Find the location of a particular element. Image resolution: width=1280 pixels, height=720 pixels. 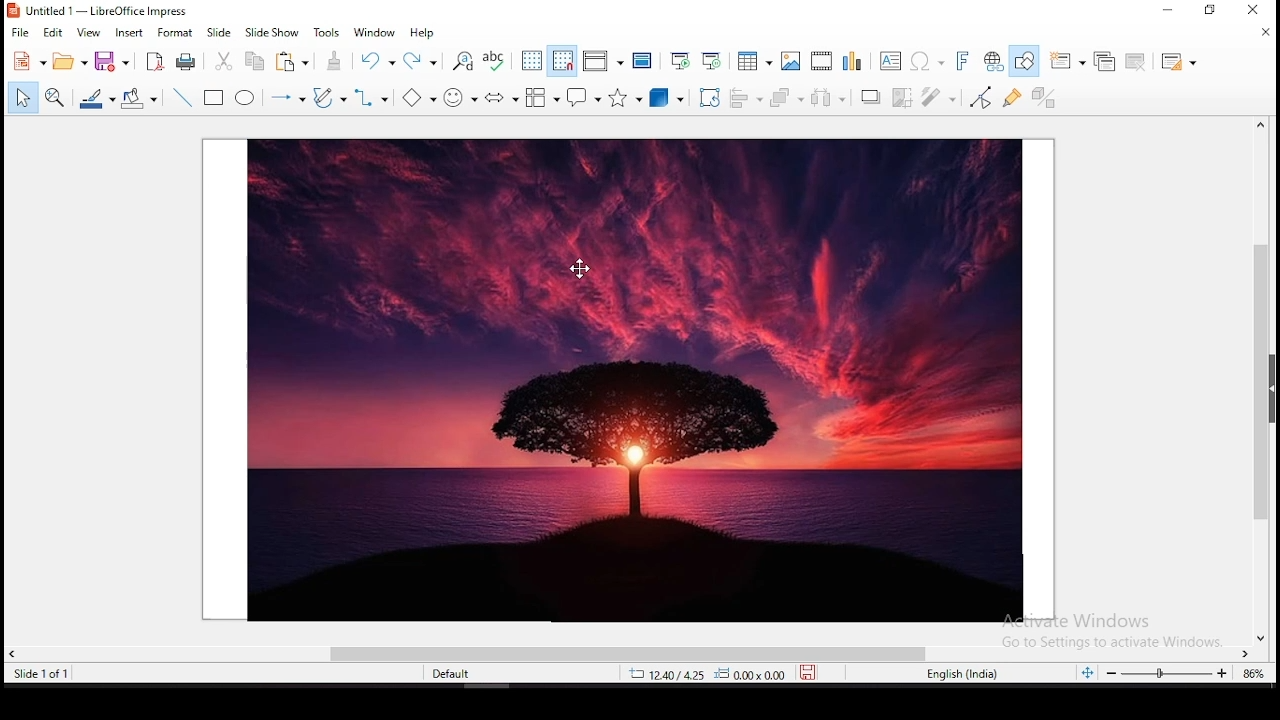

file is located at coordinates (18, 33).